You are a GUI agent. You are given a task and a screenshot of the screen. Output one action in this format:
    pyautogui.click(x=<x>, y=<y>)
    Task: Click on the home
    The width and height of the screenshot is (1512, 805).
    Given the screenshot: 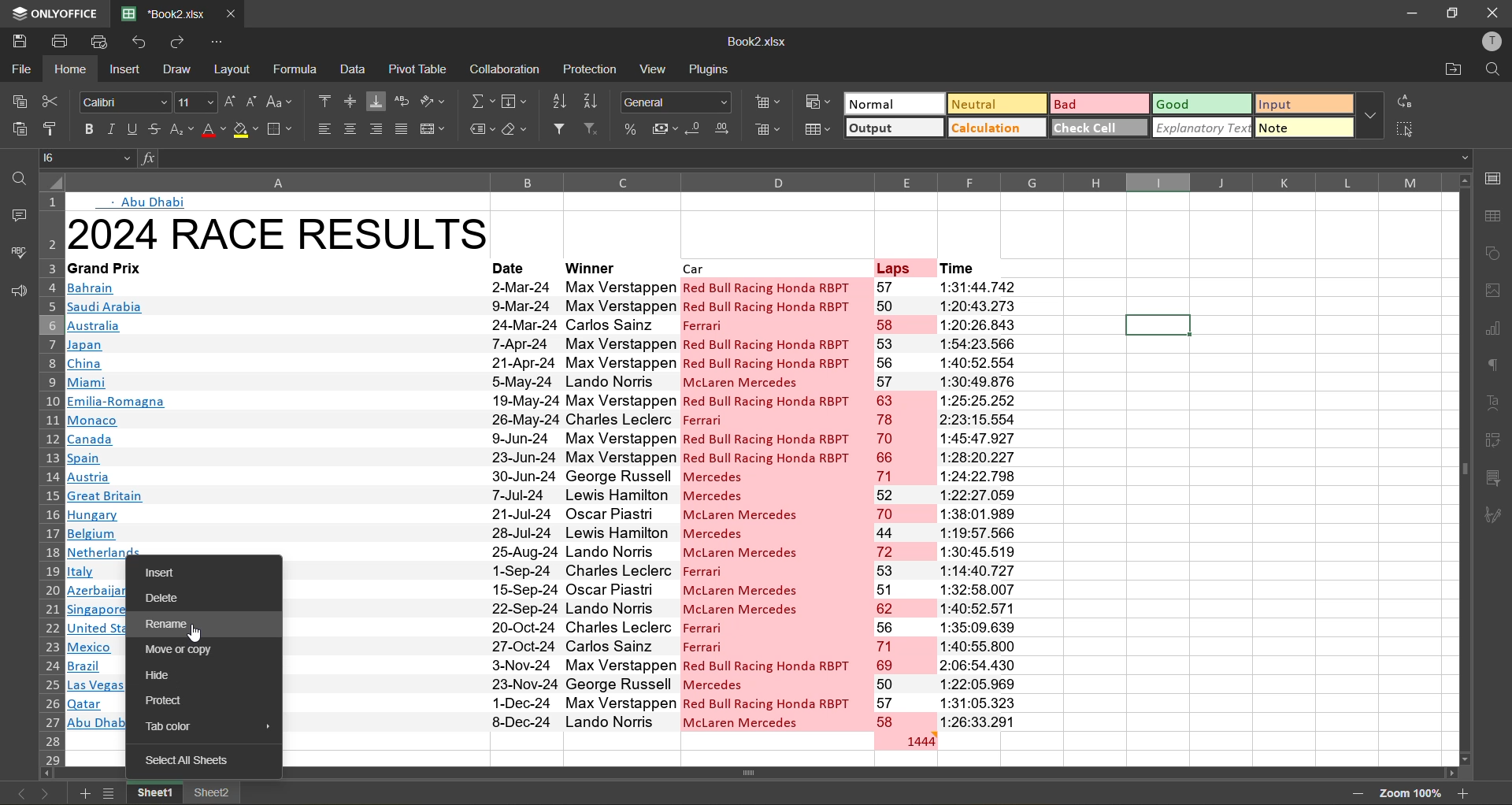 What is the action you would take?
    pyautogui.click(x=69, y=69)
    